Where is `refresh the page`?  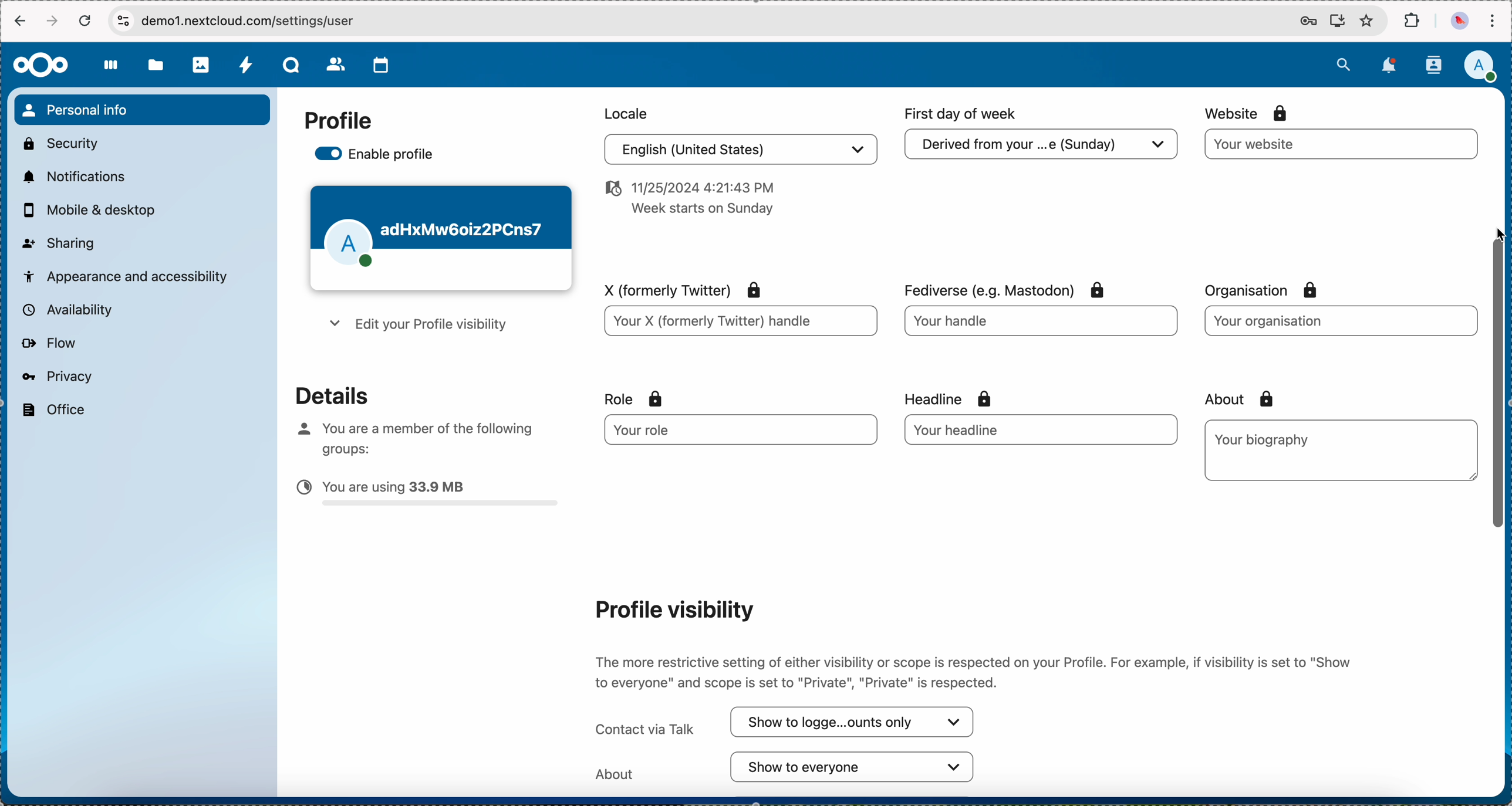 refresh the page is located at coordinates (86, 21).